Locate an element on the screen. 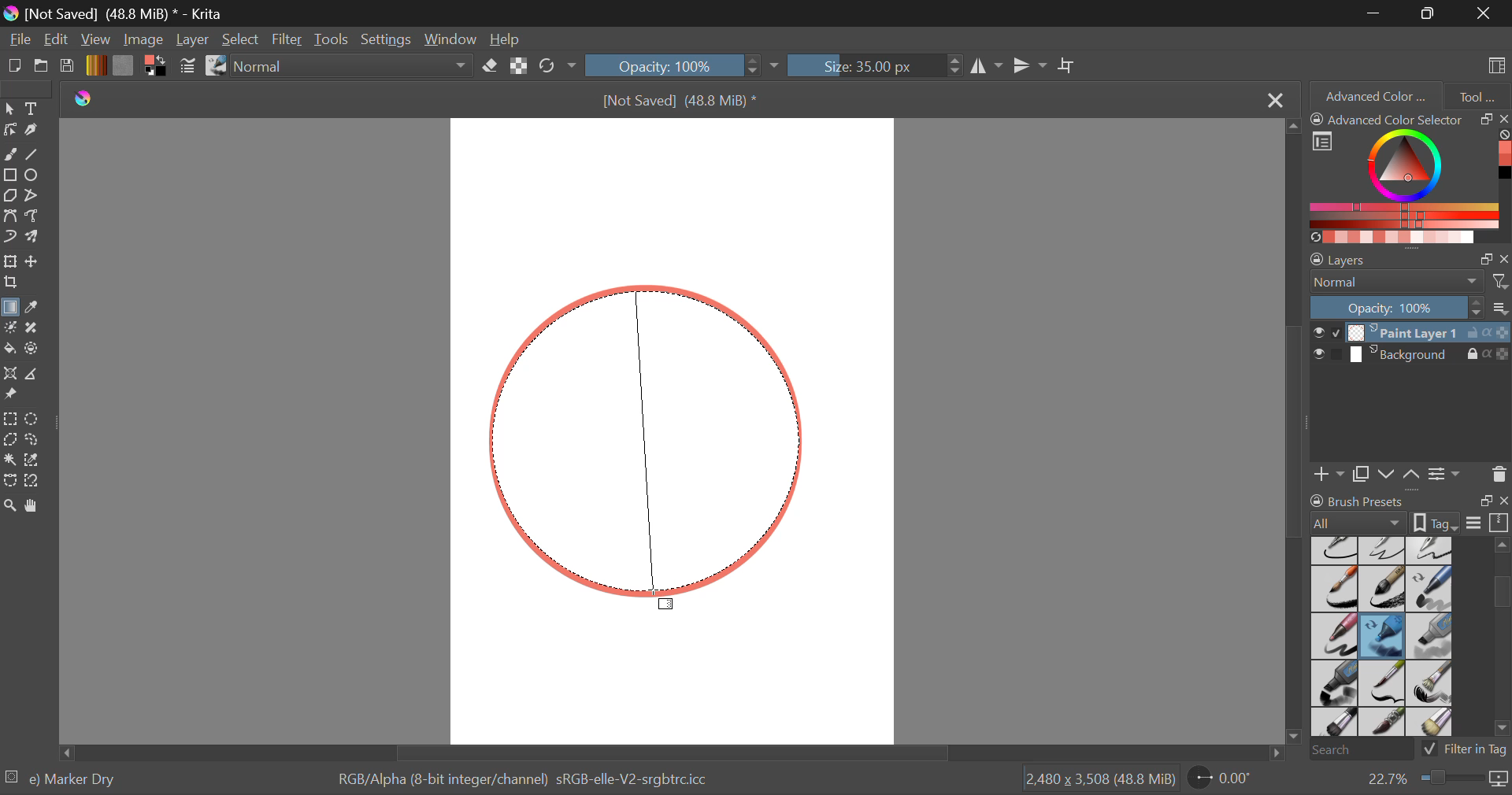  Tool is located at coordinates (1477, 94).